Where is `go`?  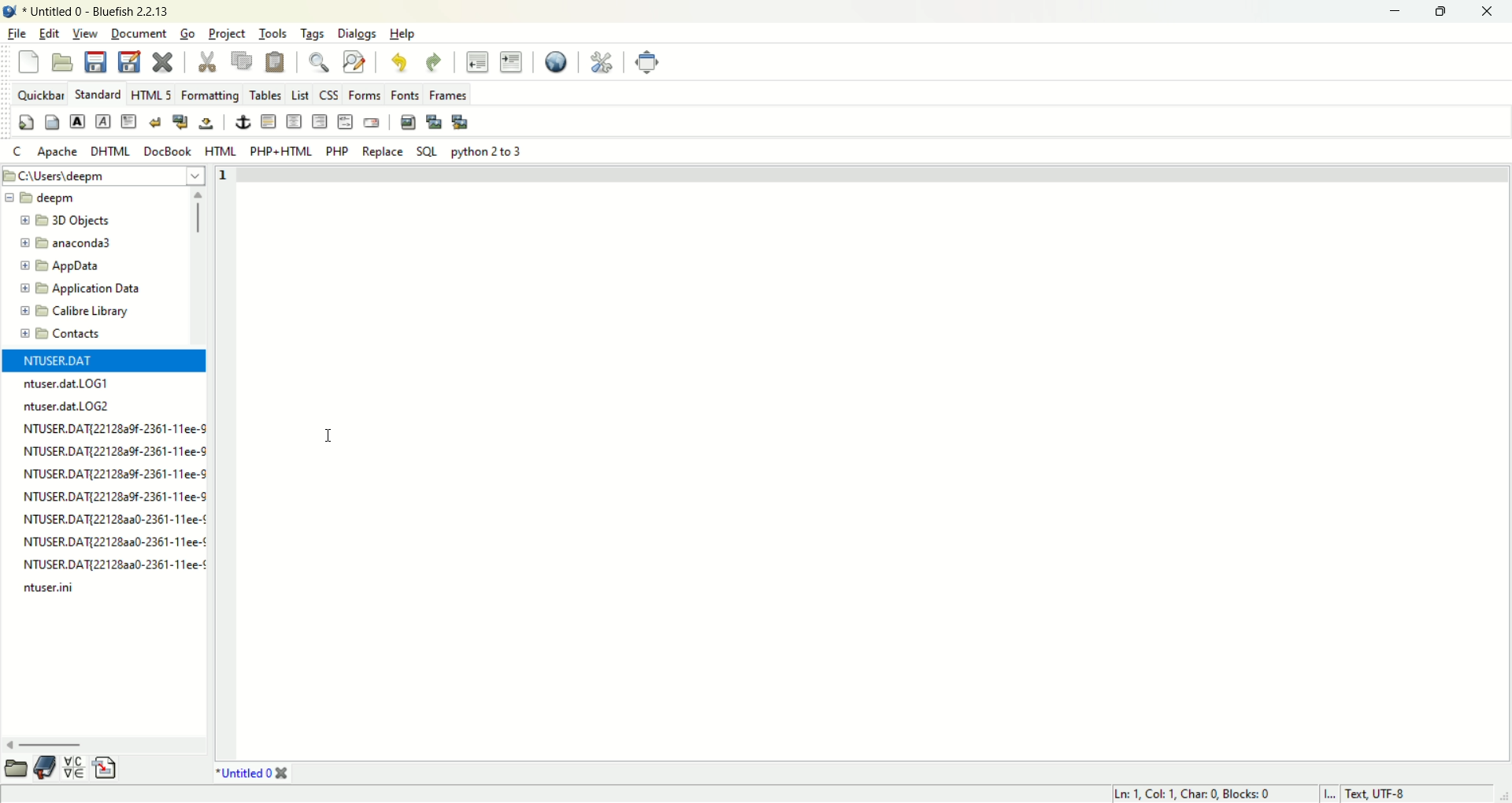 go is located at coordinates (187, 34).